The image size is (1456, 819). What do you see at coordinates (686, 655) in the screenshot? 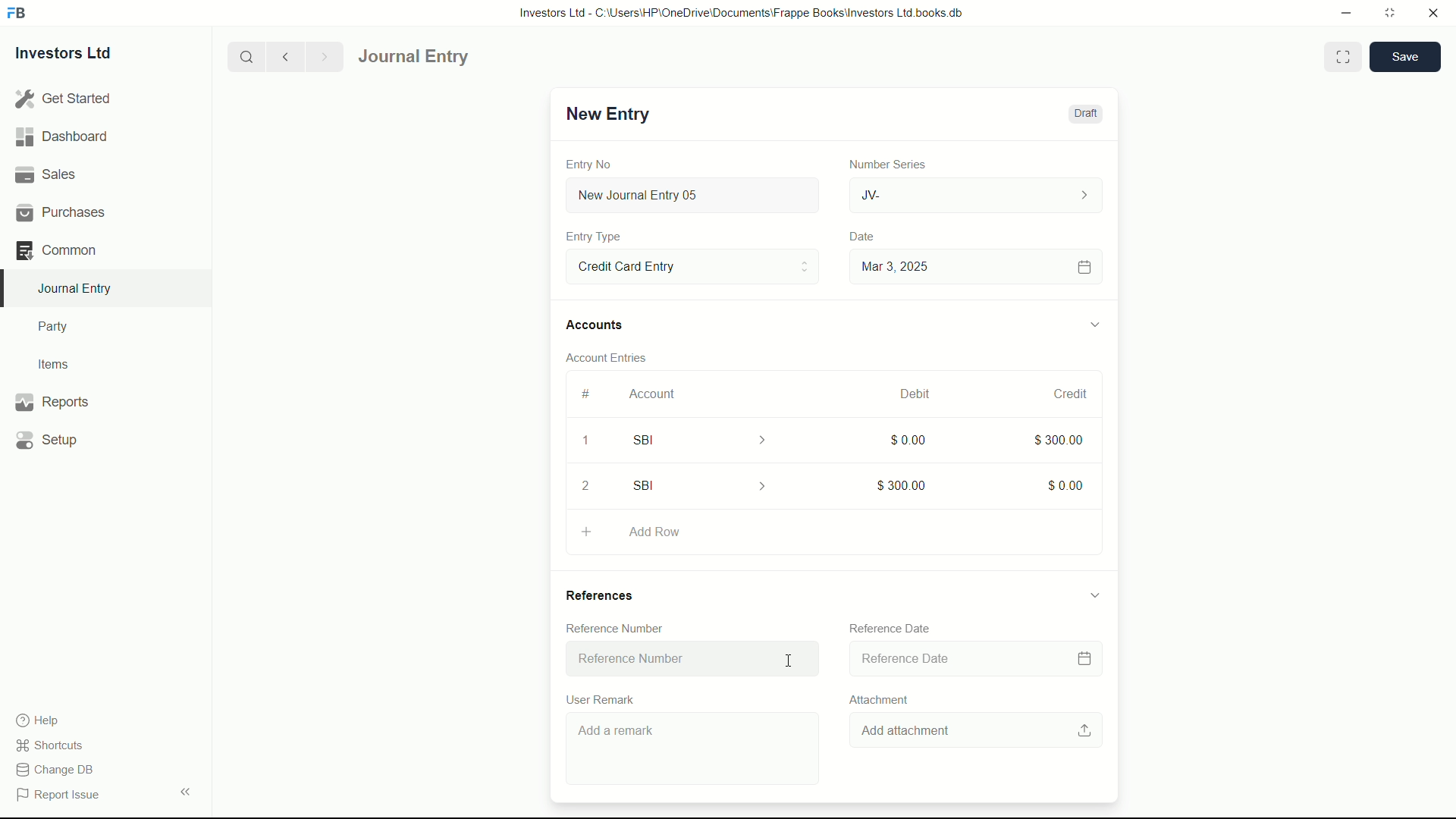
I see `Reference Number` at bounding box center [686, 655].